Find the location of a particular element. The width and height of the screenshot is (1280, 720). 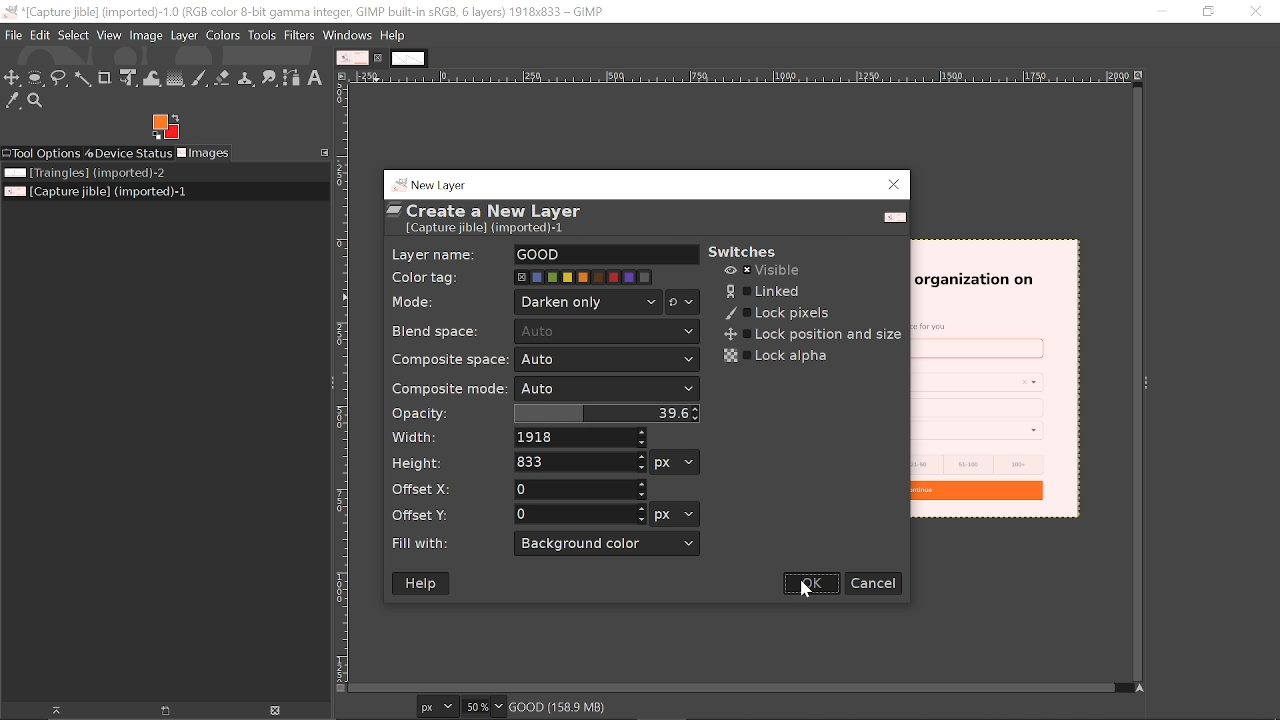

Select is located at coordinates (73, 36).